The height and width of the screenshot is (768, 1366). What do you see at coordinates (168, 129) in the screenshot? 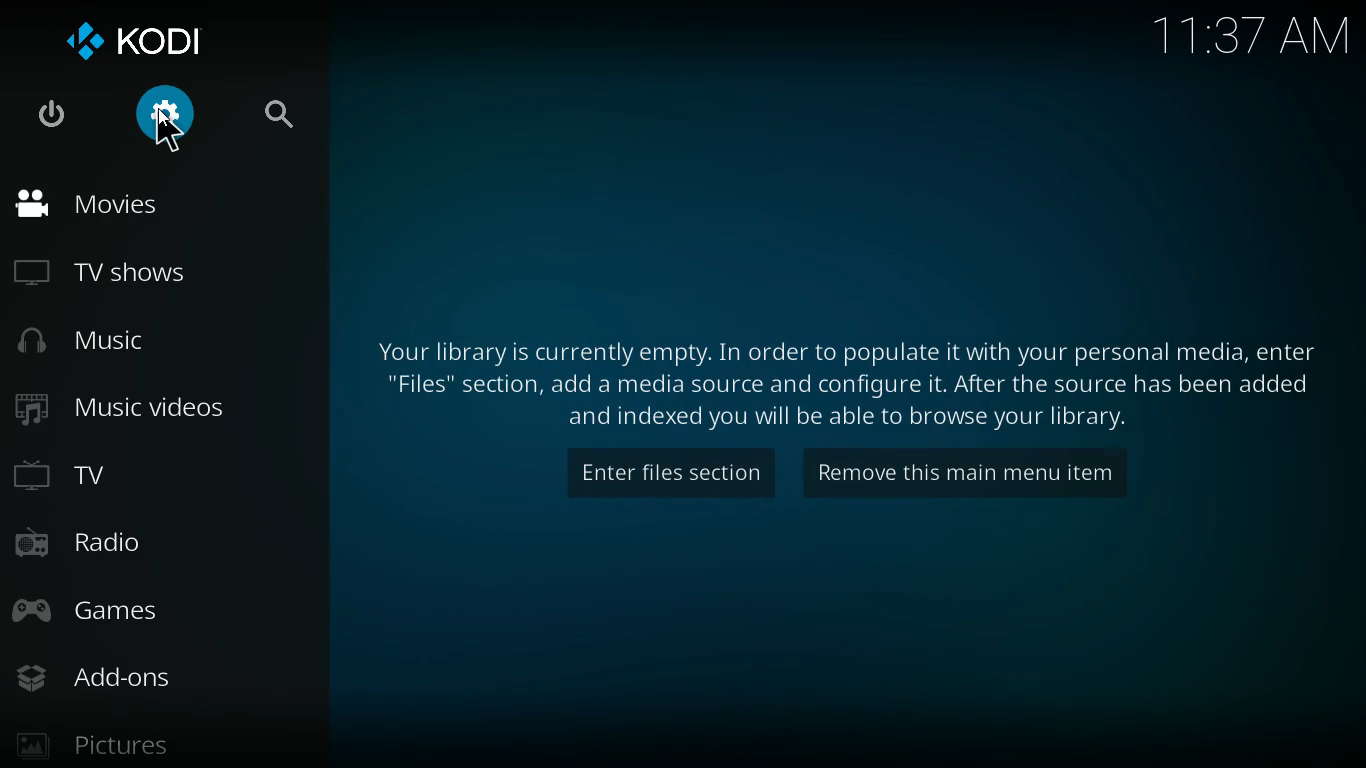
I see `cursor` at bounding box center [168, 129].